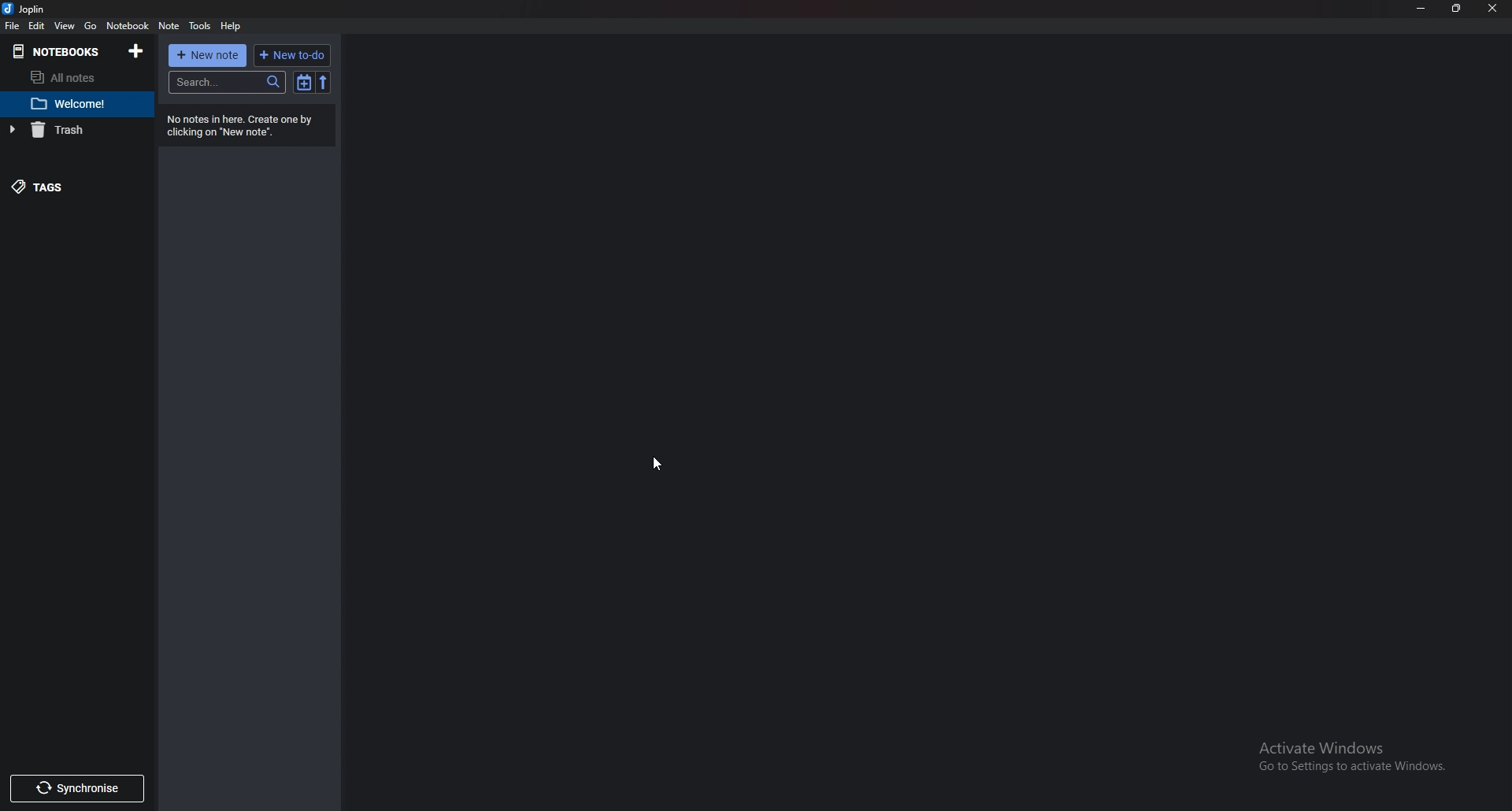  What do you see at coordinates (63, 185) in the screenshot?
I see `Tags` at bounding box center [63, 185].